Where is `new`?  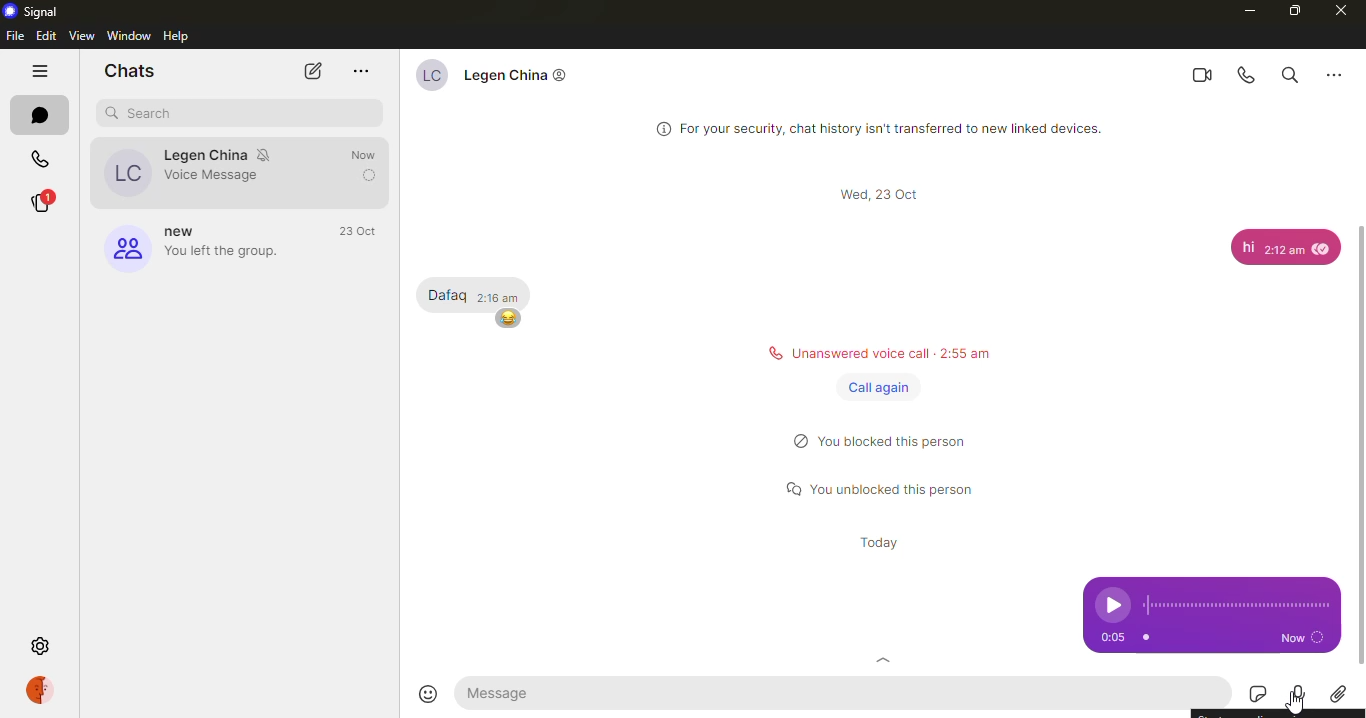
new is located at coordinates (185, 231).